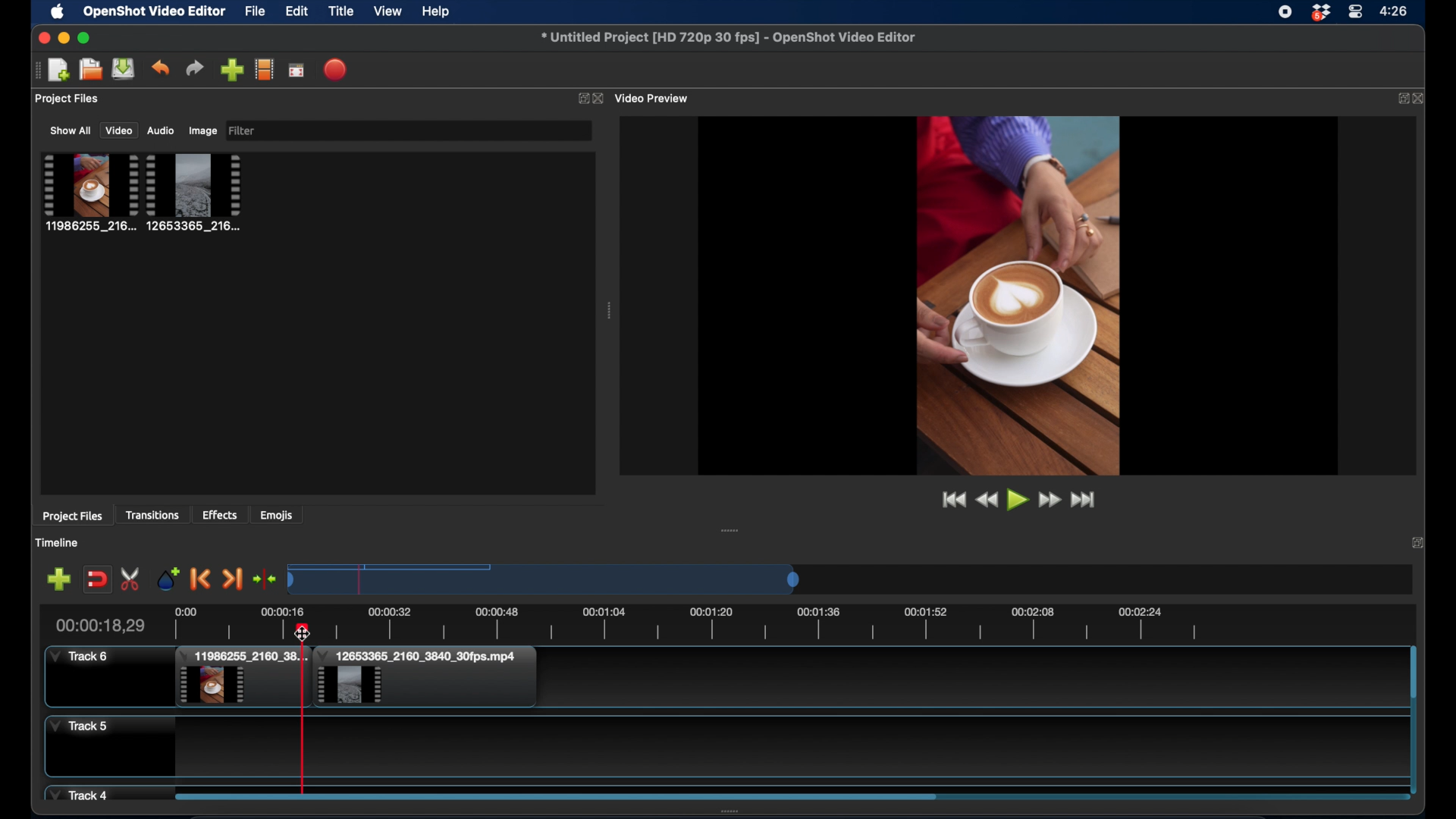 The image size is (1456, 819). Describe the element at coordinates (80, 657) in the screenshot. I see `track 6` at that location.